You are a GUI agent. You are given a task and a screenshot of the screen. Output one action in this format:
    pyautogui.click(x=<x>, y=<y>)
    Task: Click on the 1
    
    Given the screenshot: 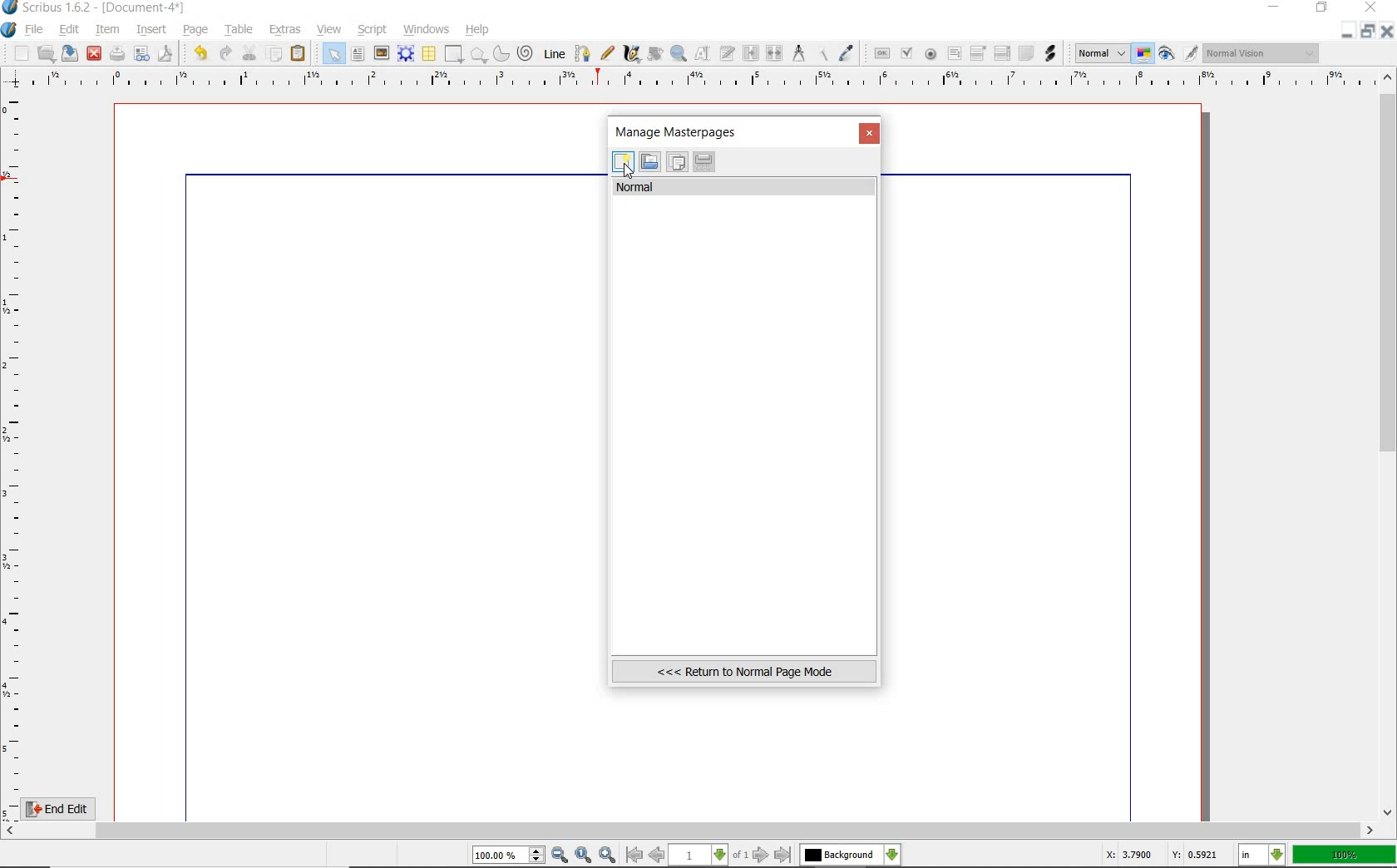 What is the action you would take?
    pyautogui.click(x=699, y=856)
    